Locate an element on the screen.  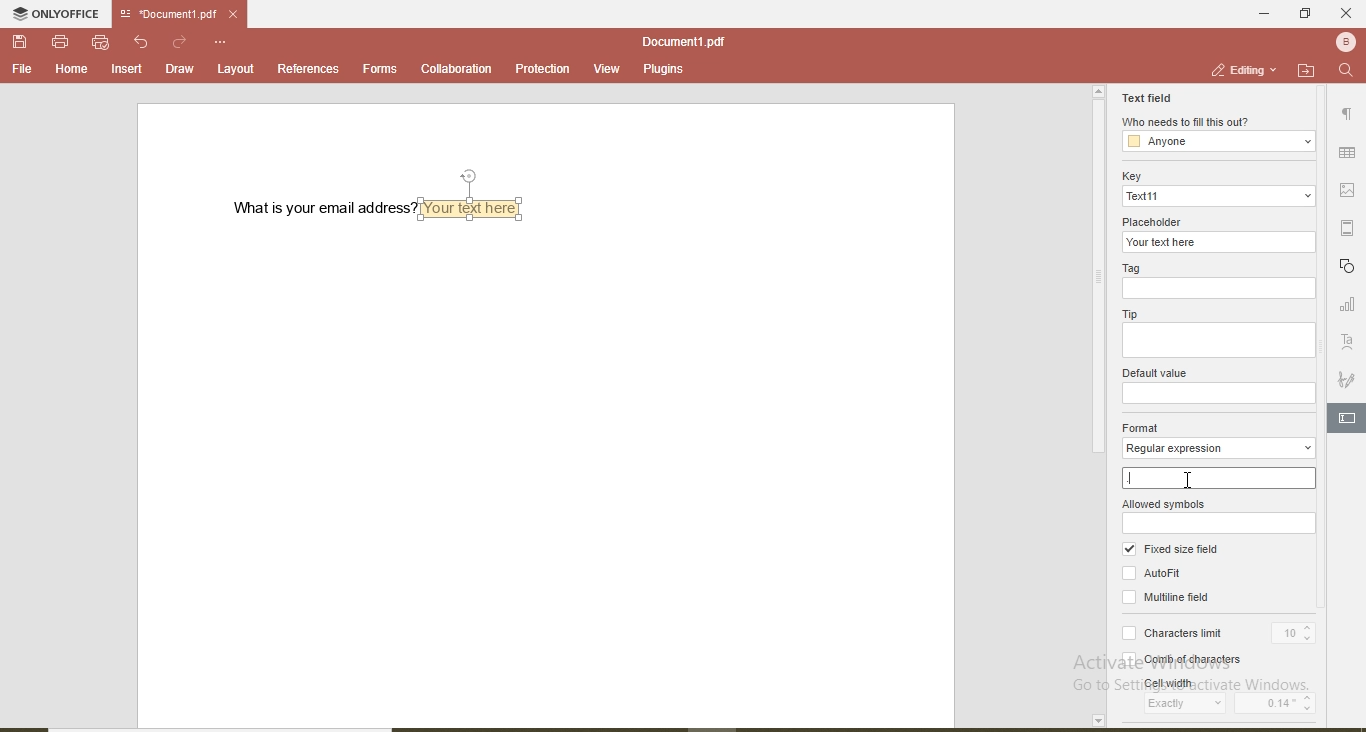
picture is located at coordinates (1351, 189).